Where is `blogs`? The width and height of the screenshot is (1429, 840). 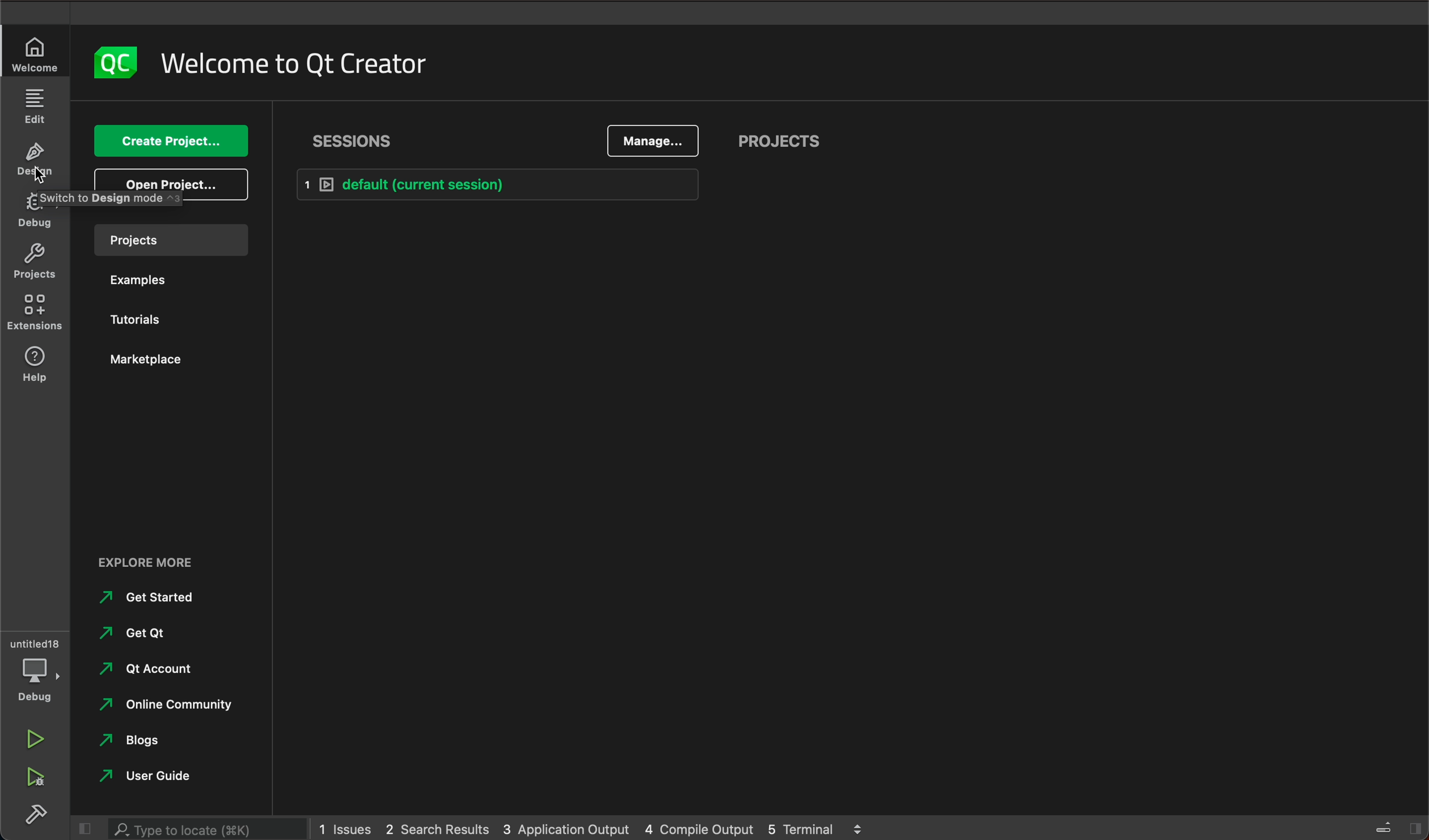
blogs is located at coordinates (139, 740).